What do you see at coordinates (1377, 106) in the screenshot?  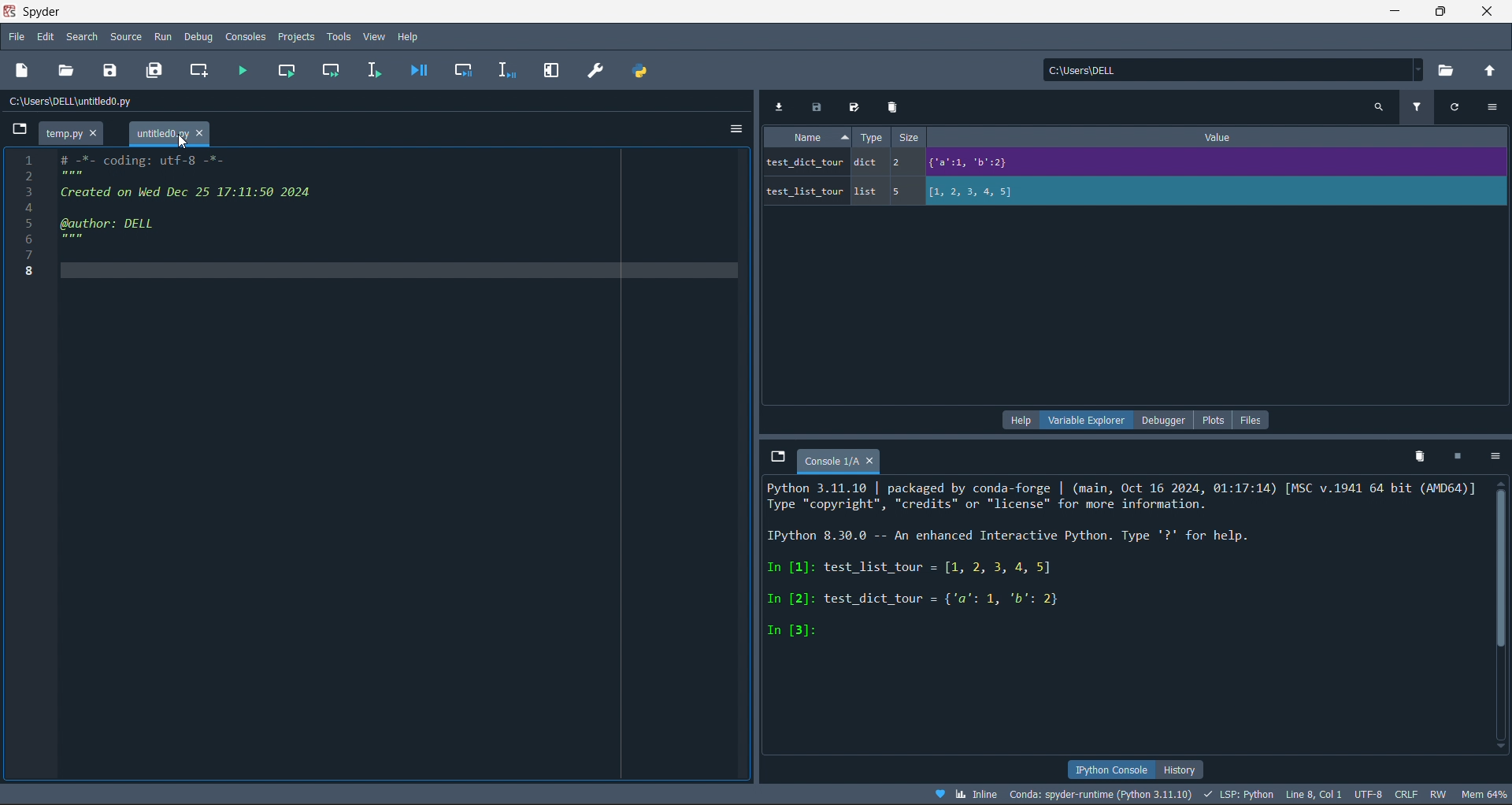 I see `search` at bounding box center [1377, 106].